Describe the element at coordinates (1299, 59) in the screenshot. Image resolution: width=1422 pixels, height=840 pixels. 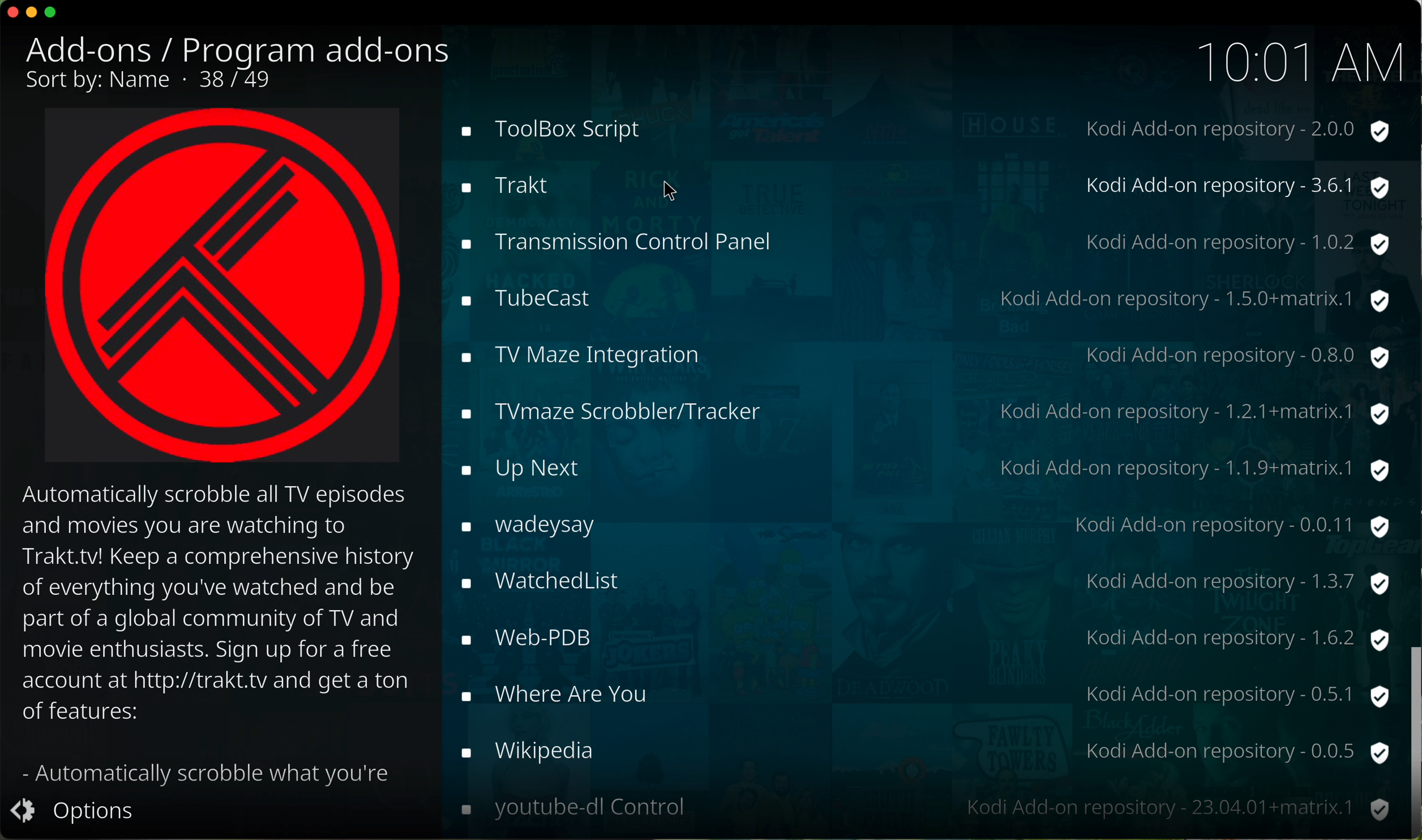
I see `10:01 AM` at that location.